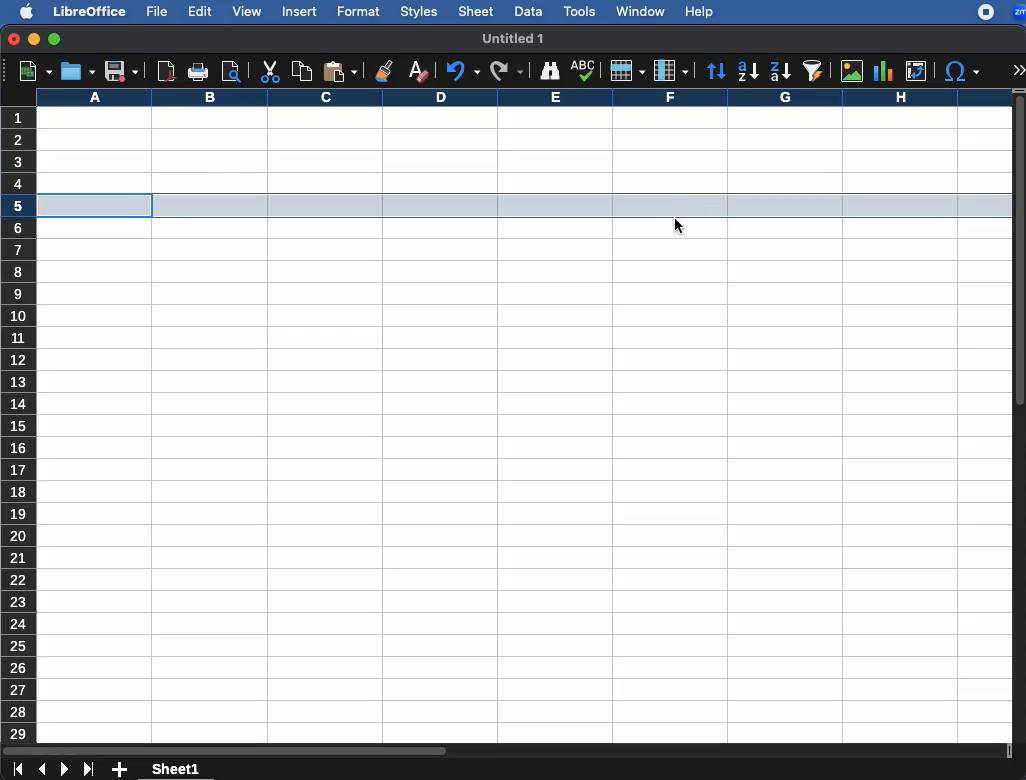  What do you see at coordinates (246, 12) in the screenshot?
I see `view` at bounding box center [246, 12].